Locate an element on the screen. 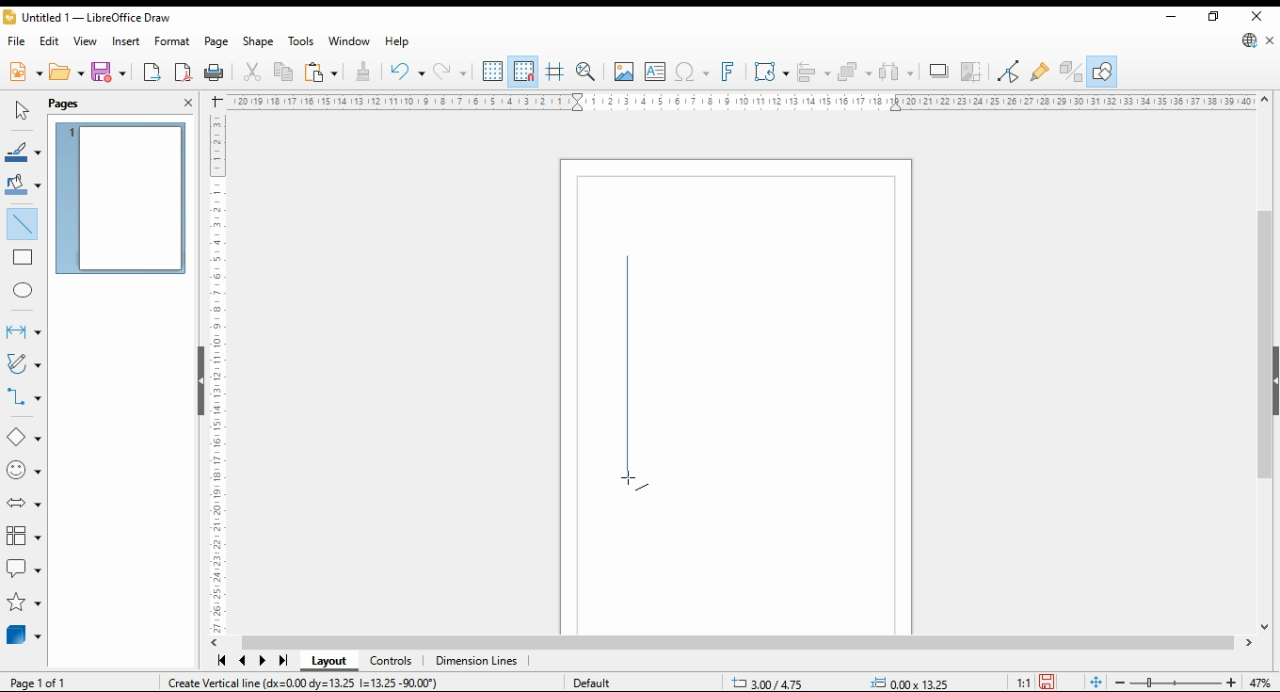  select at least three objects to distribute is located at coordinates (899, 72).